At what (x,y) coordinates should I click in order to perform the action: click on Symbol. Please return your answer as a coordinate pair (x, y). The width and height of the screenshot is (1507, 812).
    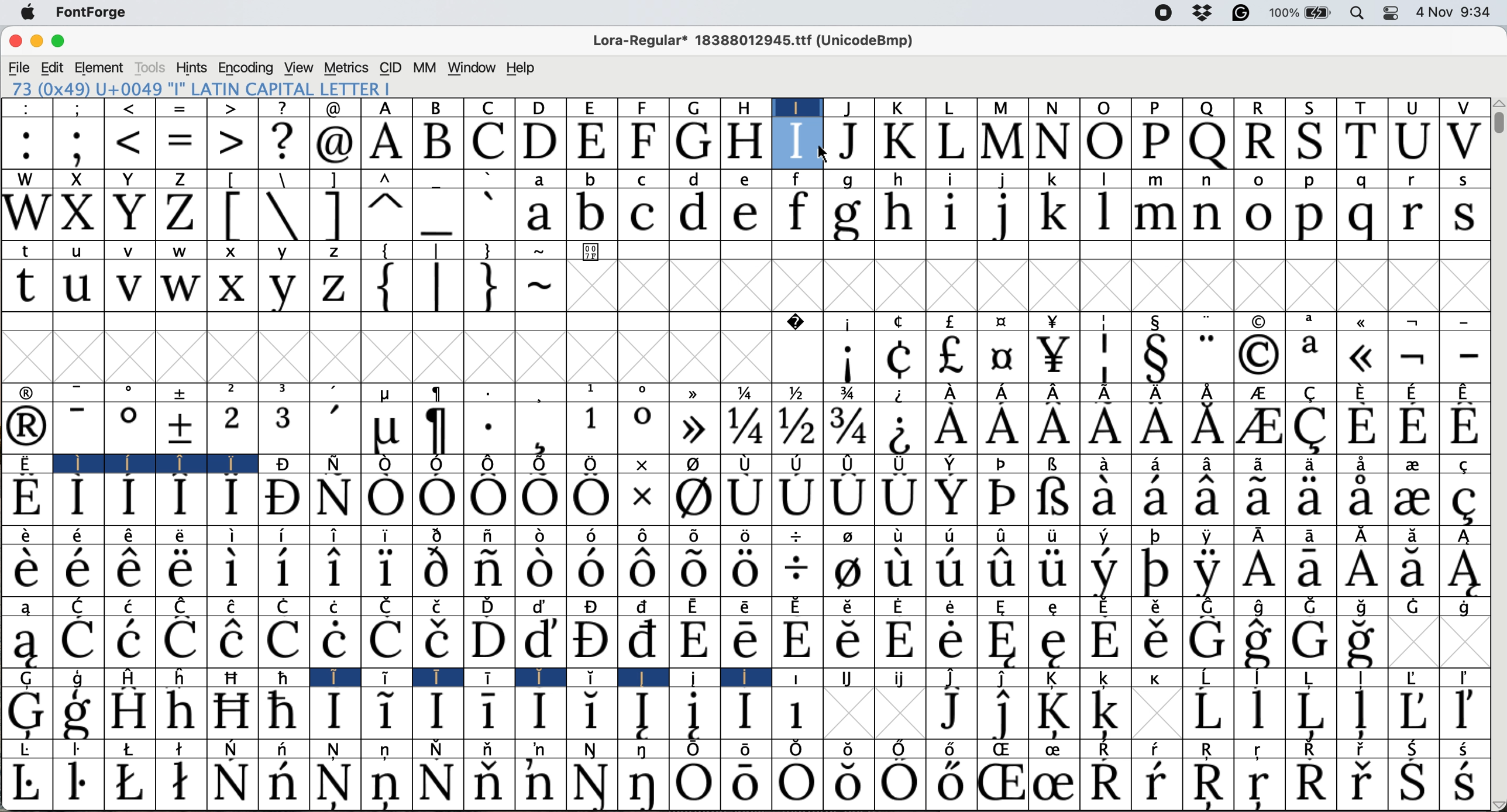
    Looking at the image, I should click on (699, 677).